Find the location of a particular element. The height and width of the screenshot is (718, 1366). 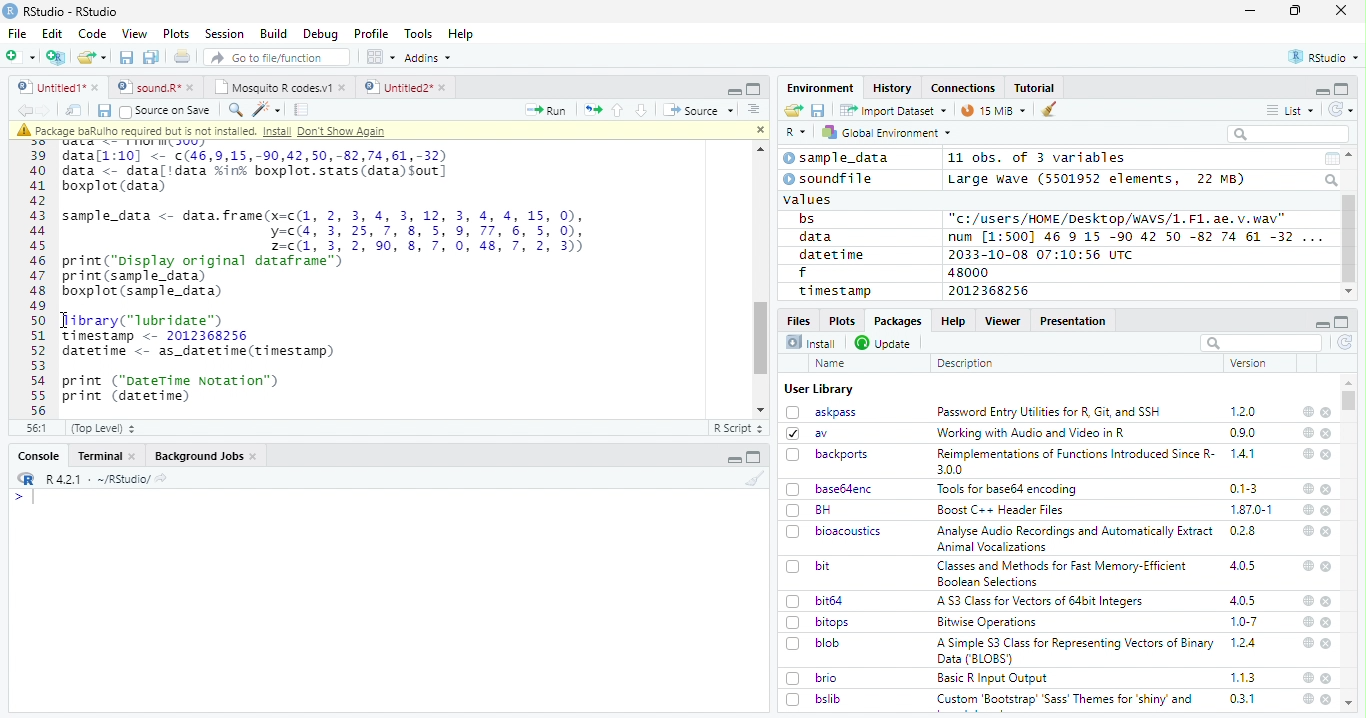

close is located at coordinates (1326, 699).